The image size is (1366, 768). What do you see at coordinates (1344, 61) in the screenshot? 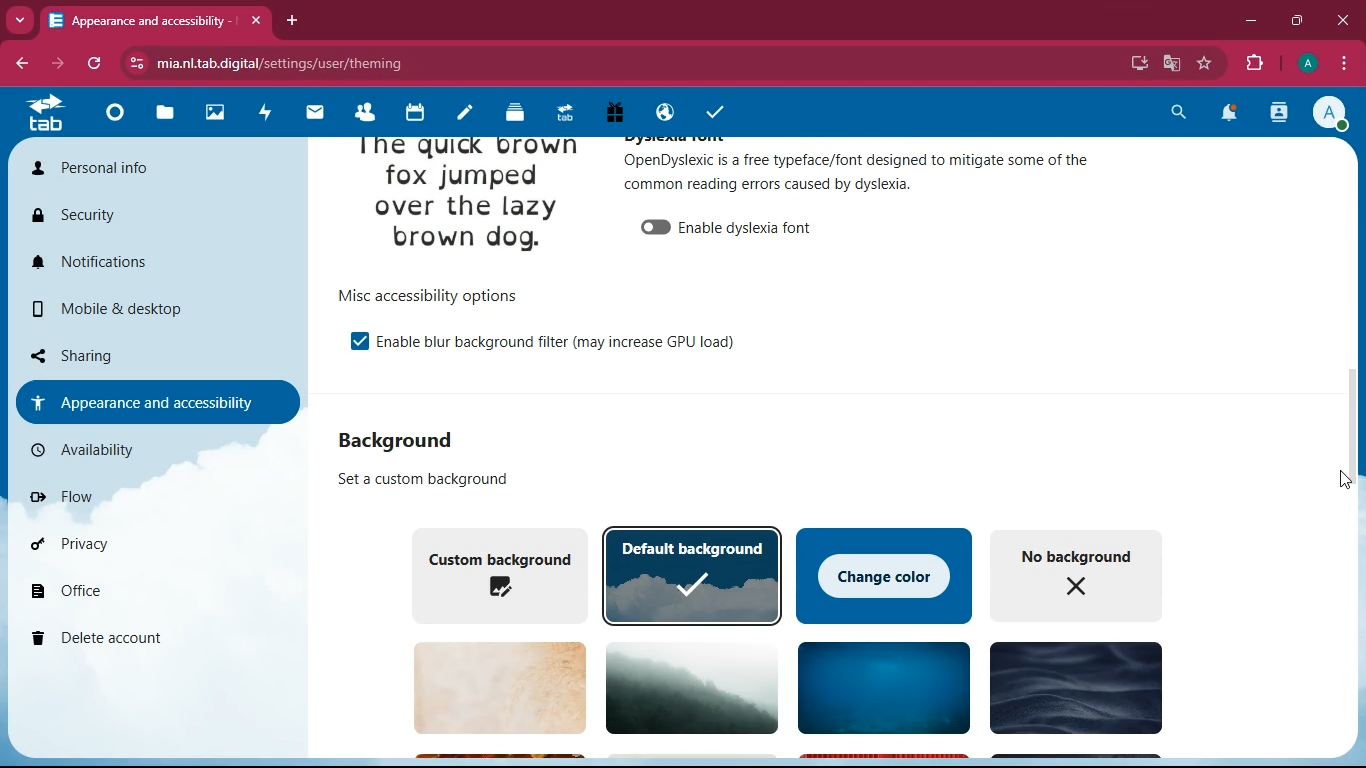
I see `menu` at bounding box center [1344, 61].